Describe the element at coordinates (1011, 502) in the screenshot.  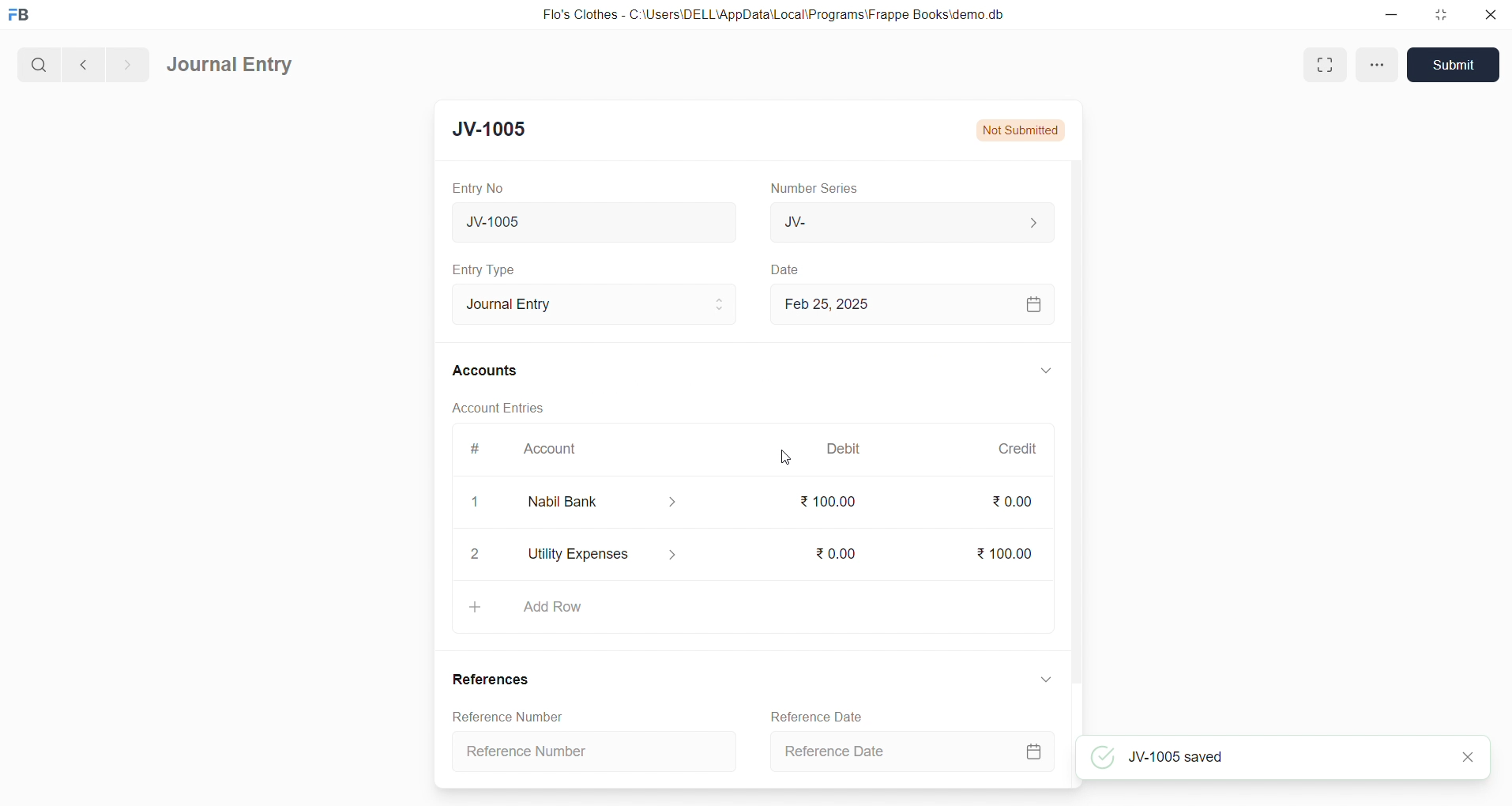
I see `₹ 0.00` at that location.